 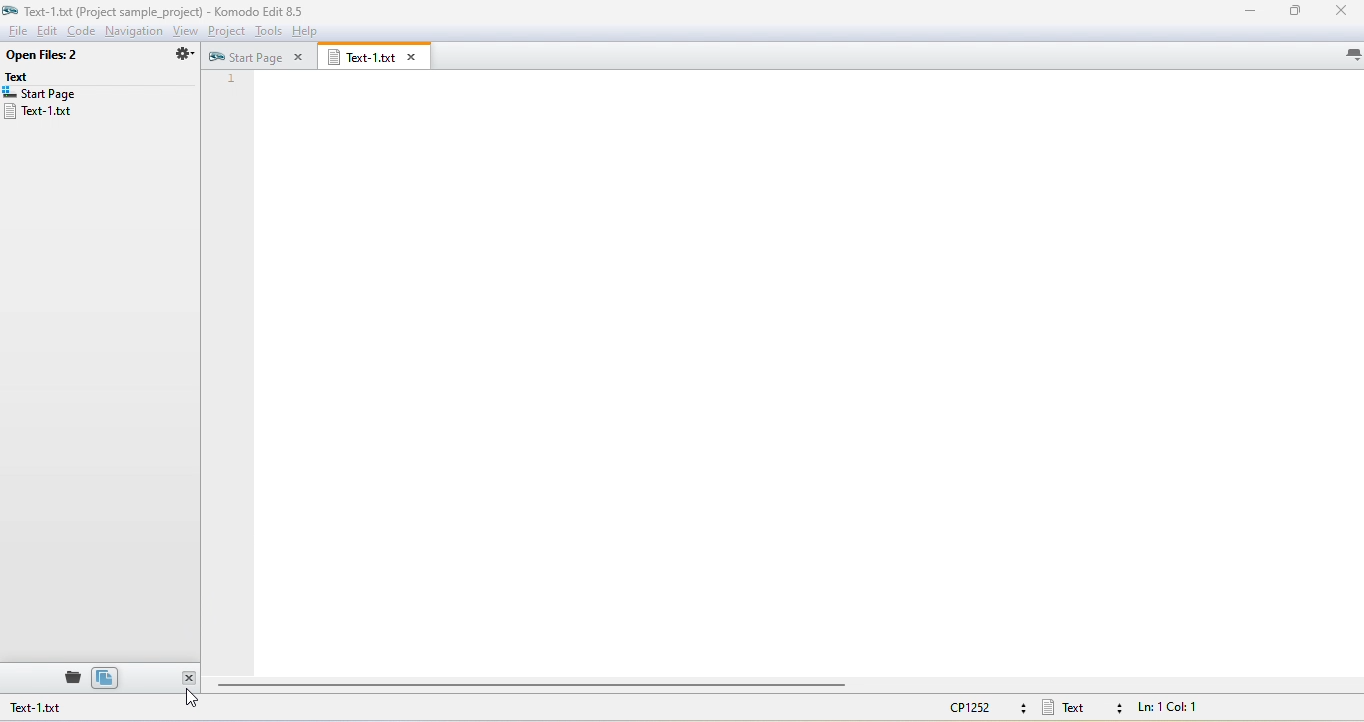 What do you see at coordinates (43, 93) in the screenshot?
I see `start page` at bounding box center [43, 93].